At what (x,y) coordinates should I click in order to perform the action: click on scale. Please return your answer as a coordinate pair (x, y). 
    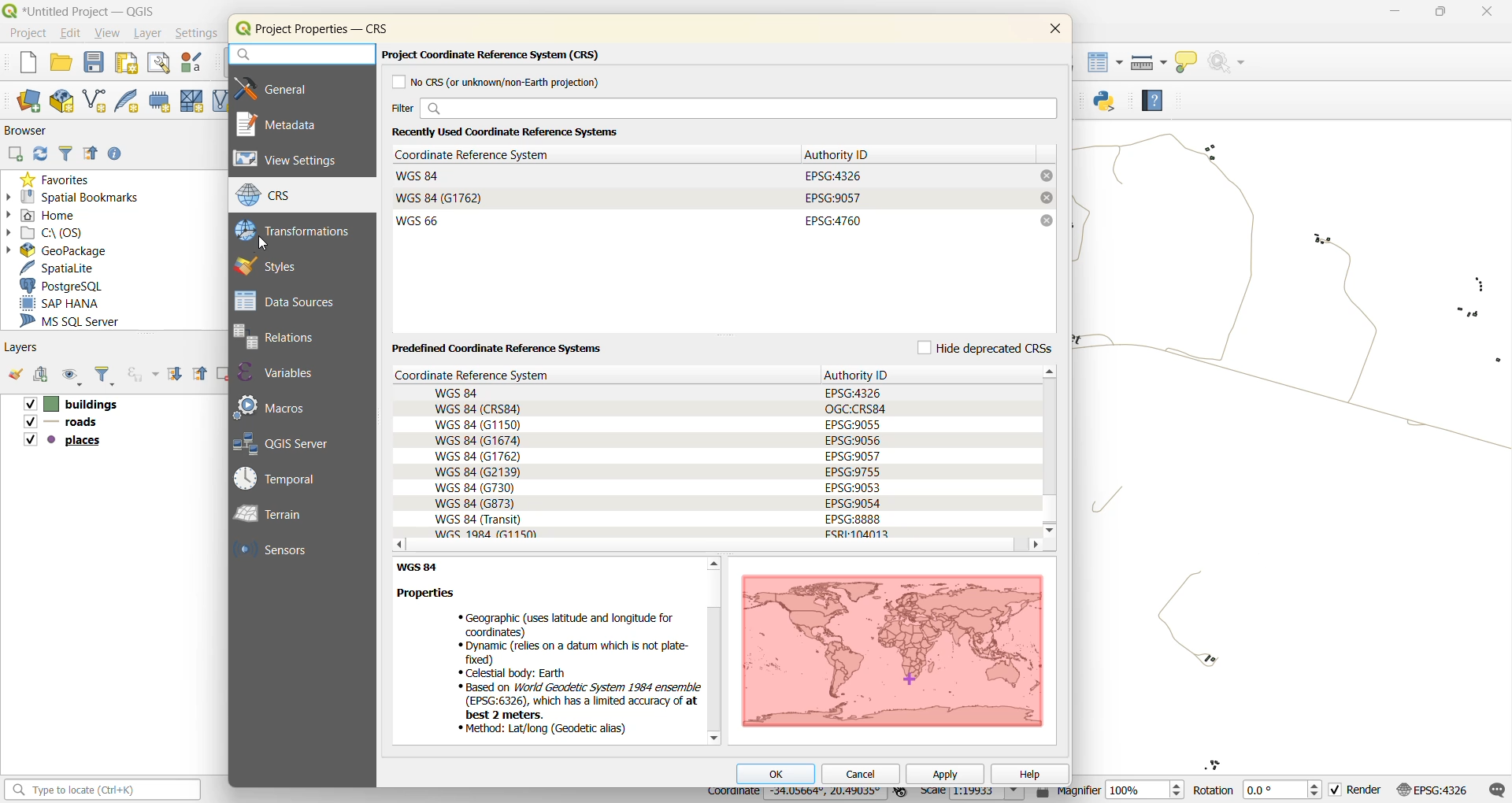
    Looking at the image, I should click on (973, 794).